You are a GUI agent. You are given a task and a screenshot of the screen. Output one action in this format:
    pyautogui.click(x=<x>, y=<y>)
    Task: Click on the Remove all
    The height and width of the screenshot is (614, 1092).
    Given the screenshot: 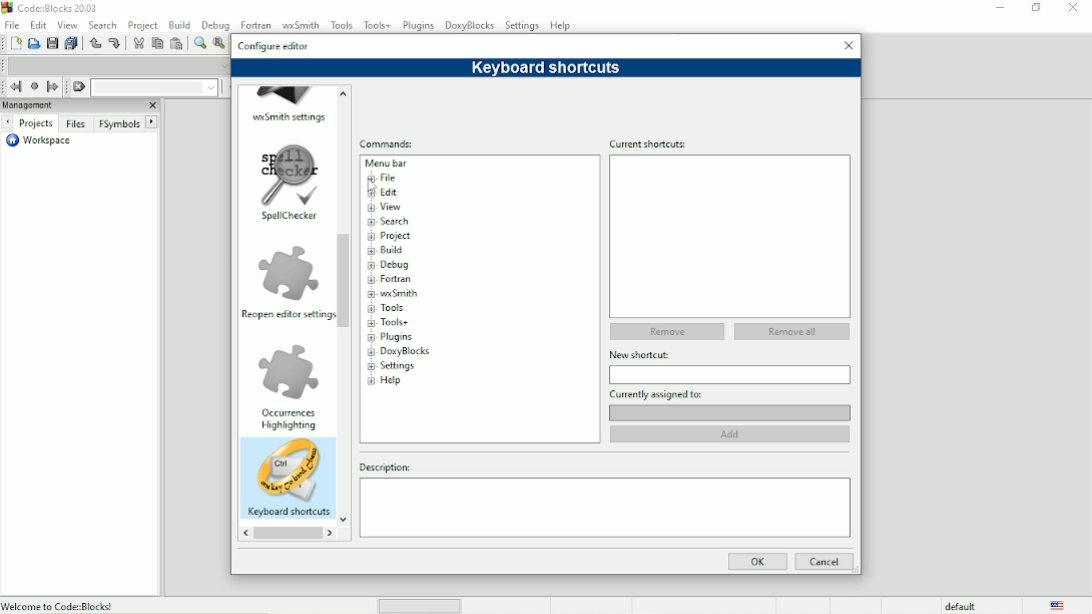 What is the action you would take?
    pyautogui.click(x=792, y=331)
    